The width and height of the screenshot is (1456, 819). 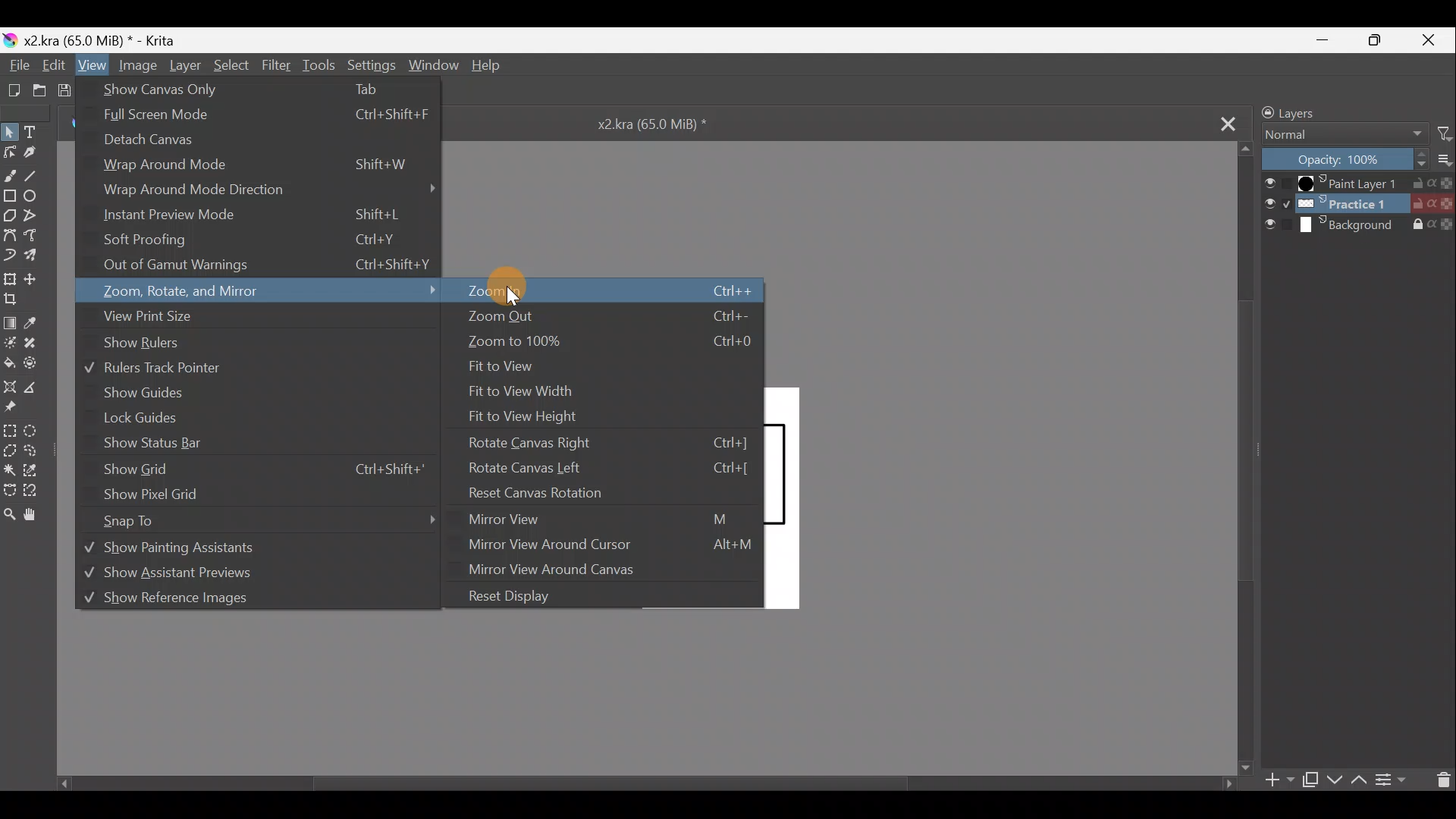 What do you see at coordinates (233, 67) in the screenshot?
I see `Select` at bounding box center [233, 67].